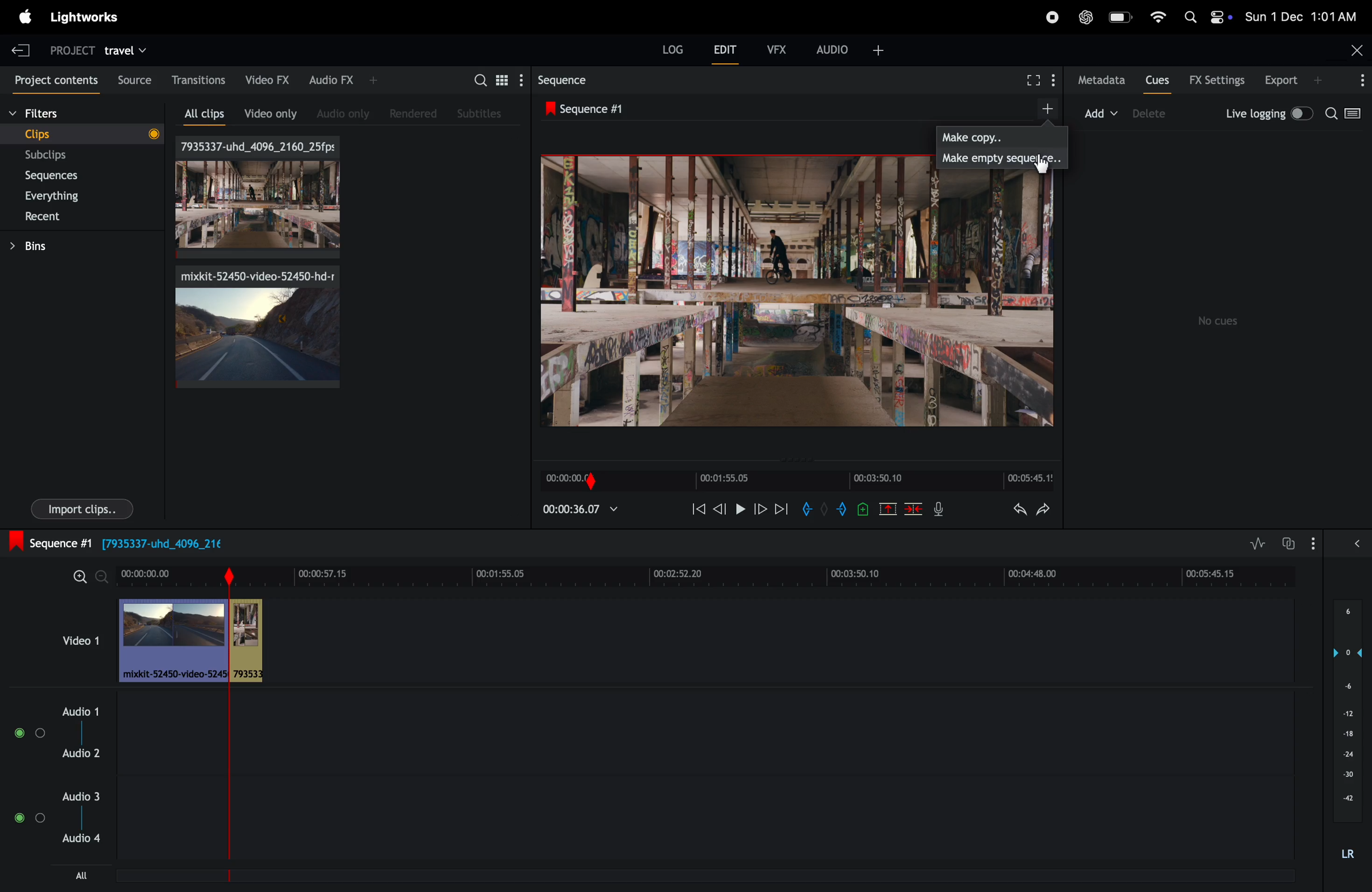 This screenshot has height=892, width=1372. Describe the element at coordinates (1220, 321) in the screenshot. I see `no cues` at that location.